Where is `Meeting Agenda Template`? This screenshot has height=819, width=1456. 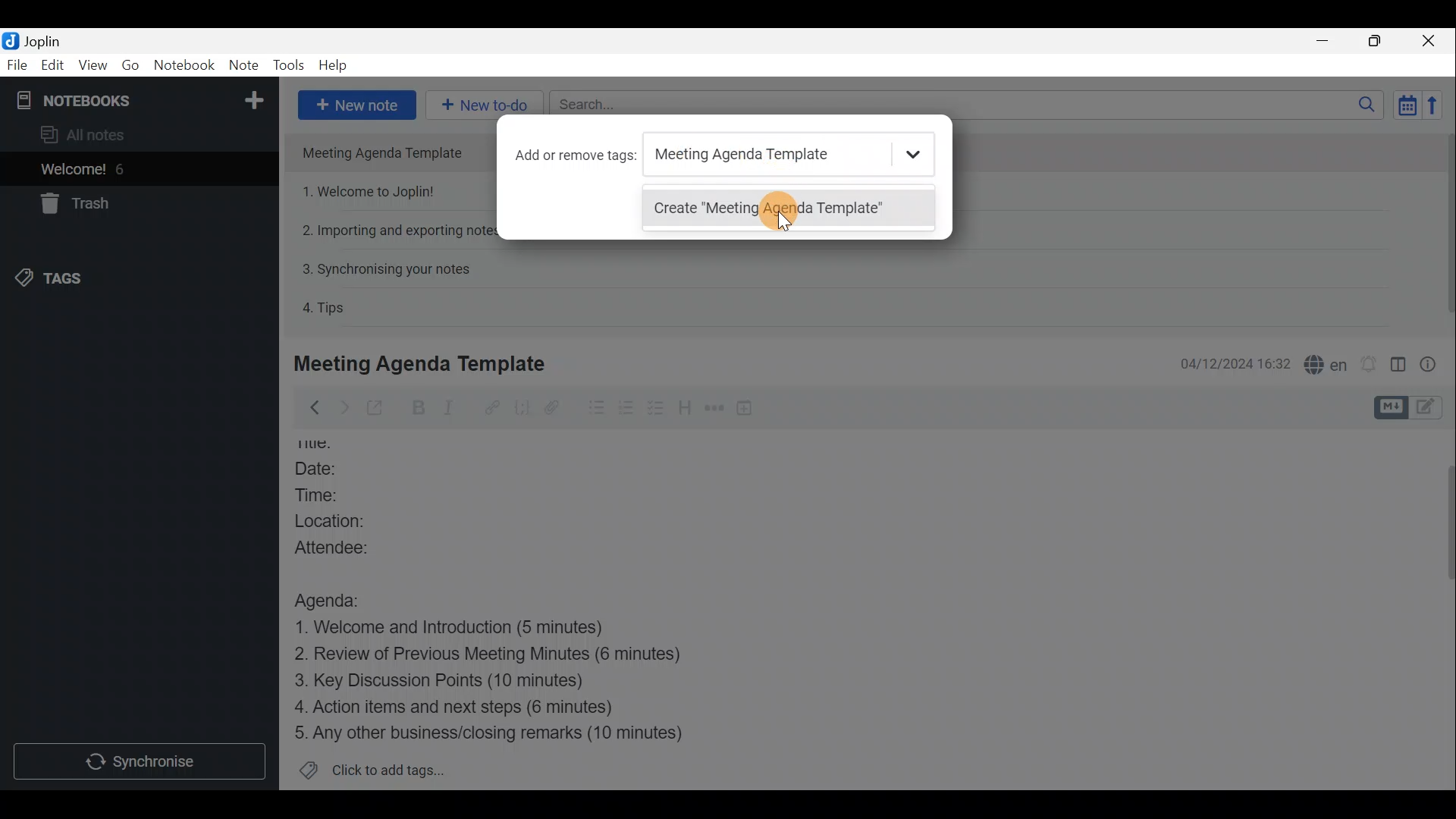
Meeting Agenda Template is located at coordinates (422, 363).